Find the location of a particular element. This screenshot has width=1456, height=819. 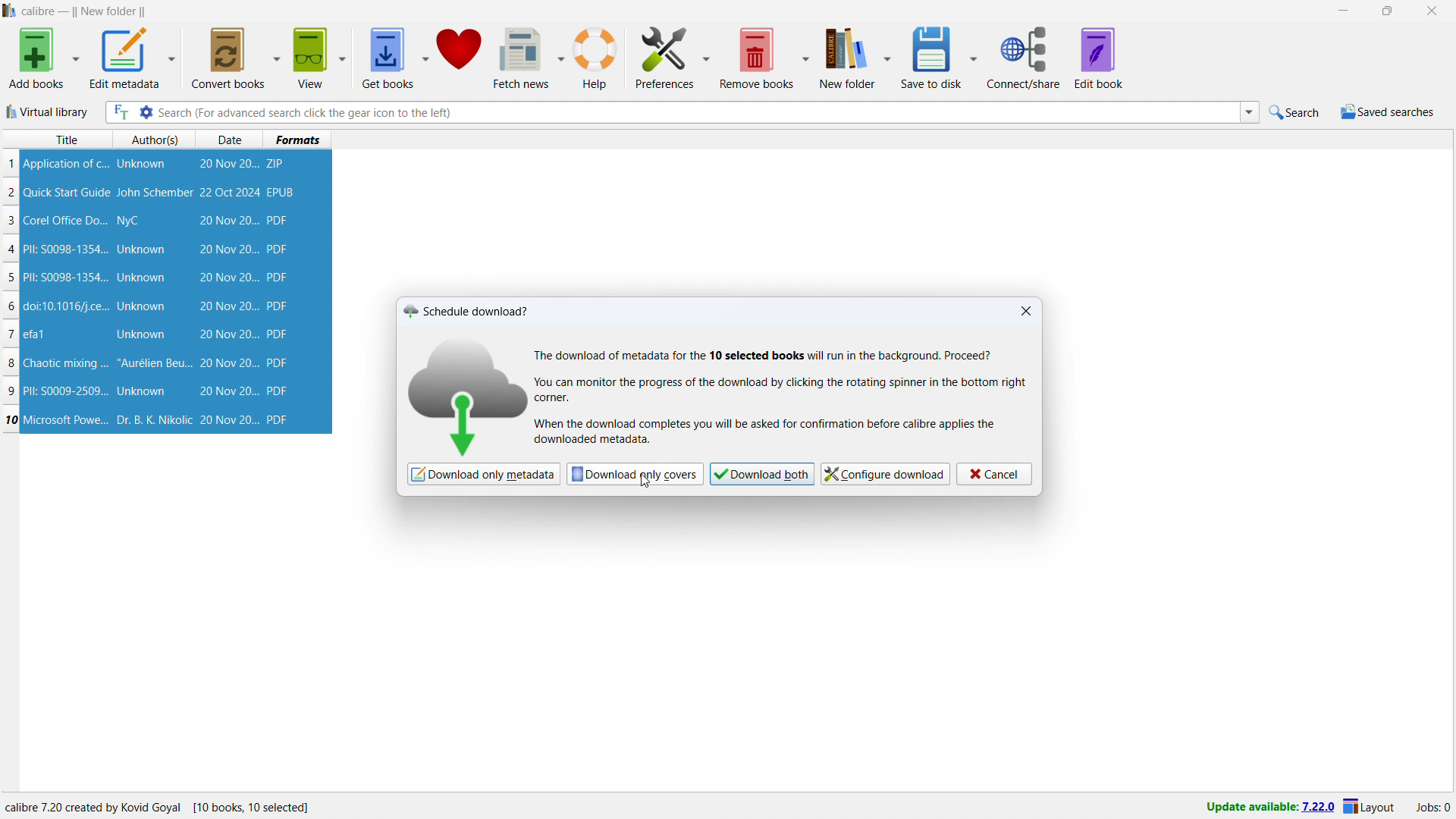

Date is located at coordinates (232, 140).